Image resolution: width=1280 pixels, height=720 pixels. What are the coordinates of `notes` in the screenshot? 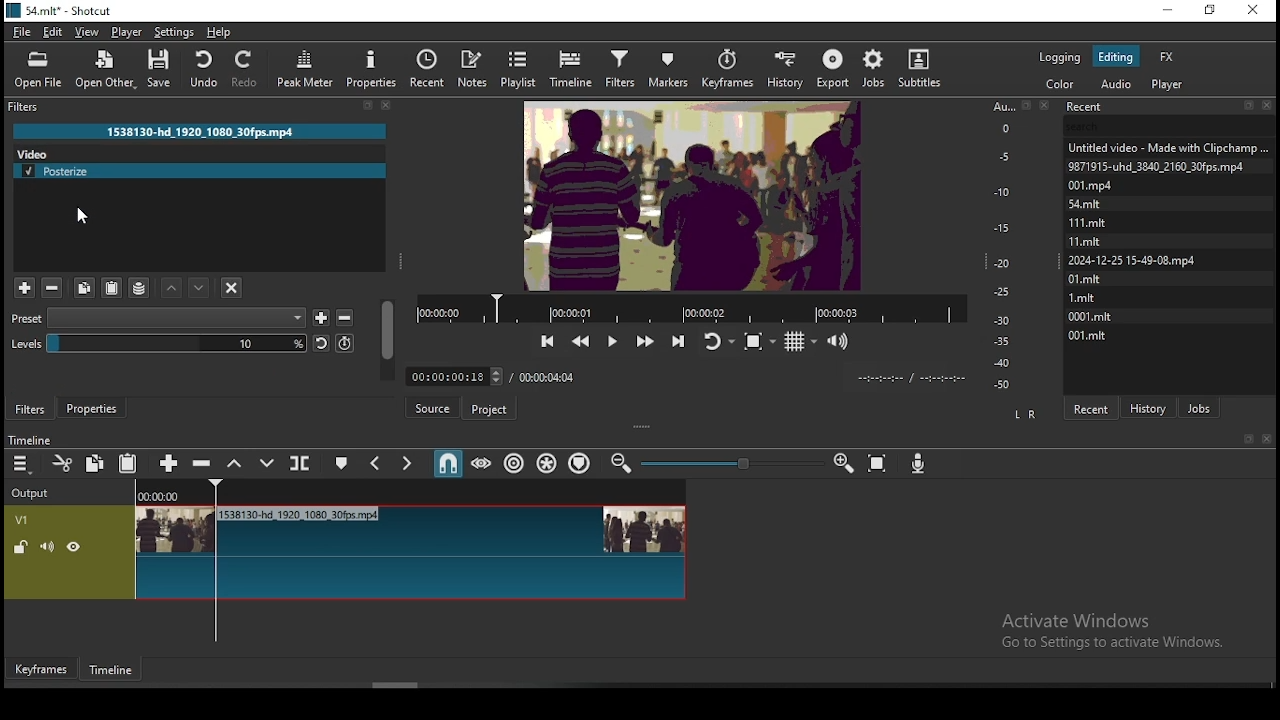 It's located at (475, 68).